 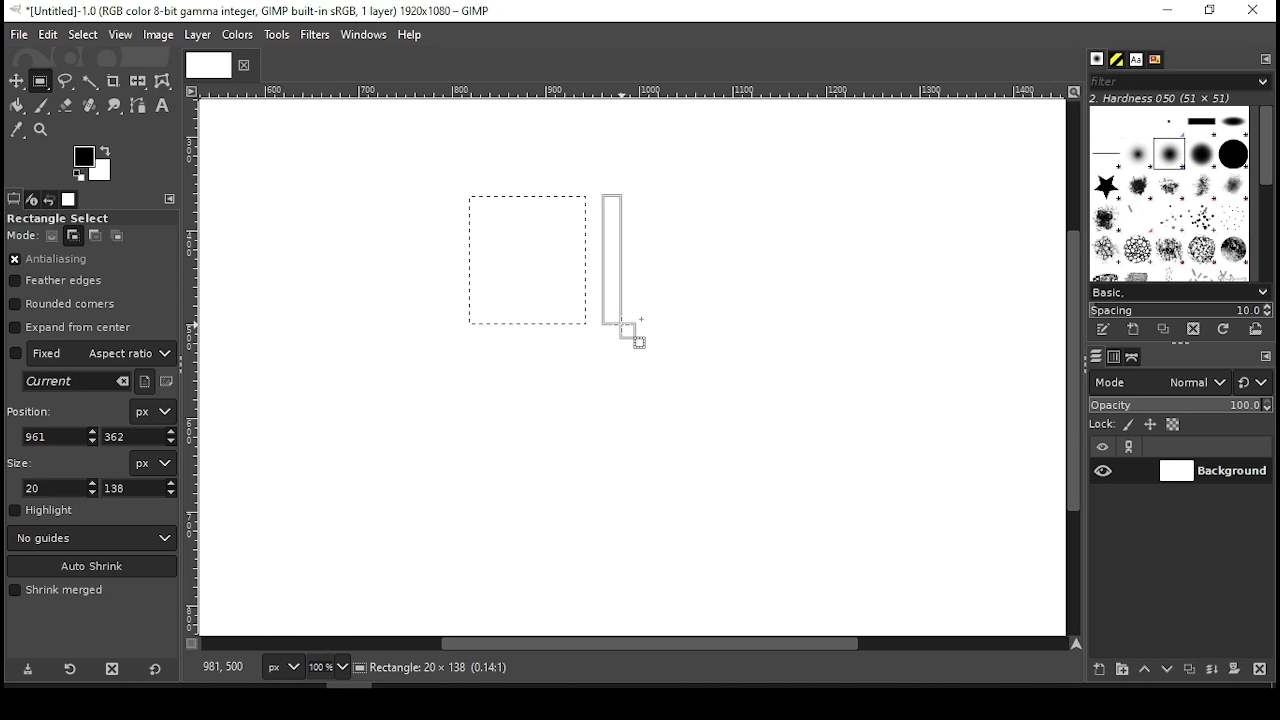 What do you see at coordinates (93, 352) in the screenshot?
I see `aspect ratio` at bounding box center [93, 352].